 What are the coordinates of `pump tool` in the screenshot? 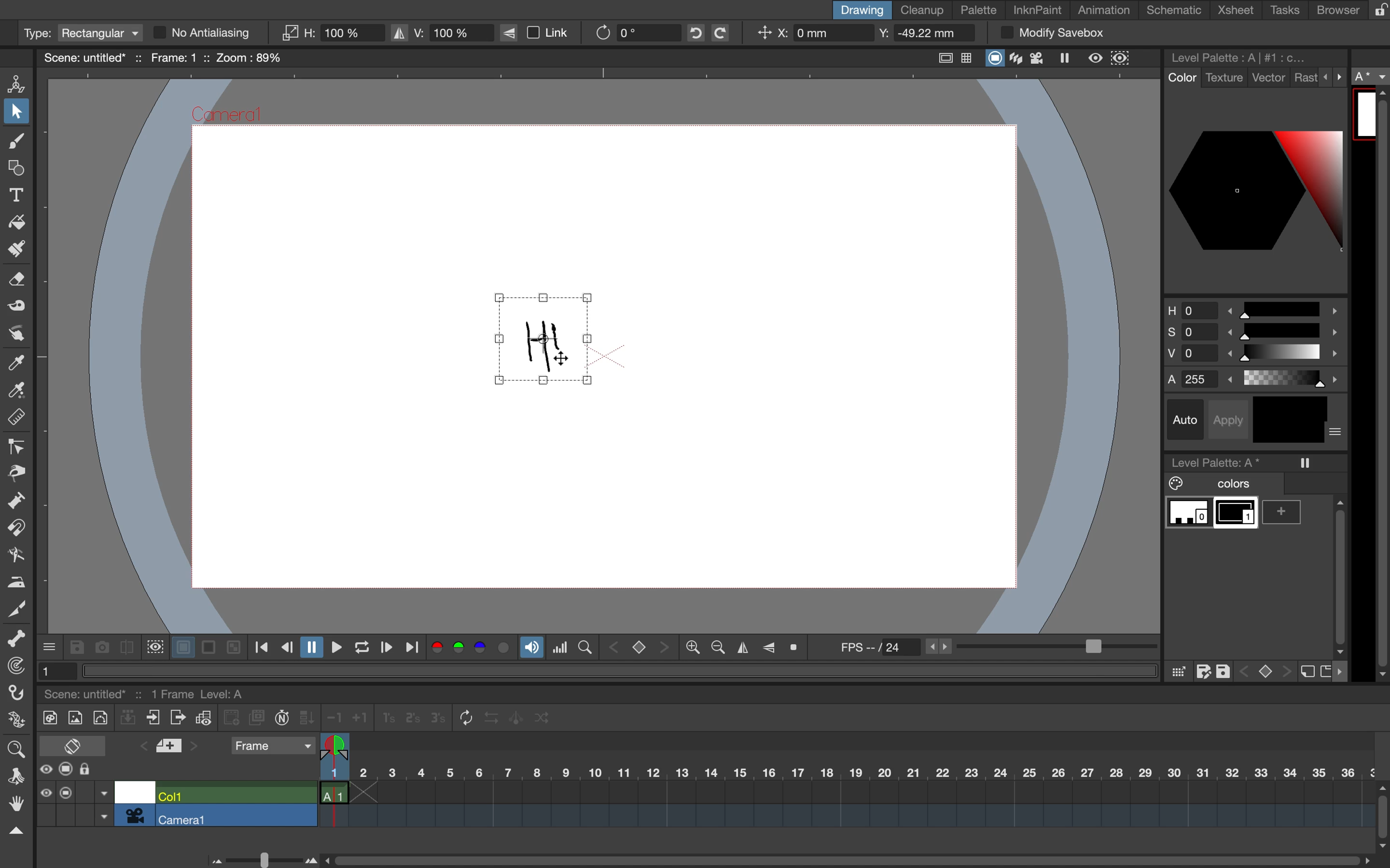 It's located at (18, 502).